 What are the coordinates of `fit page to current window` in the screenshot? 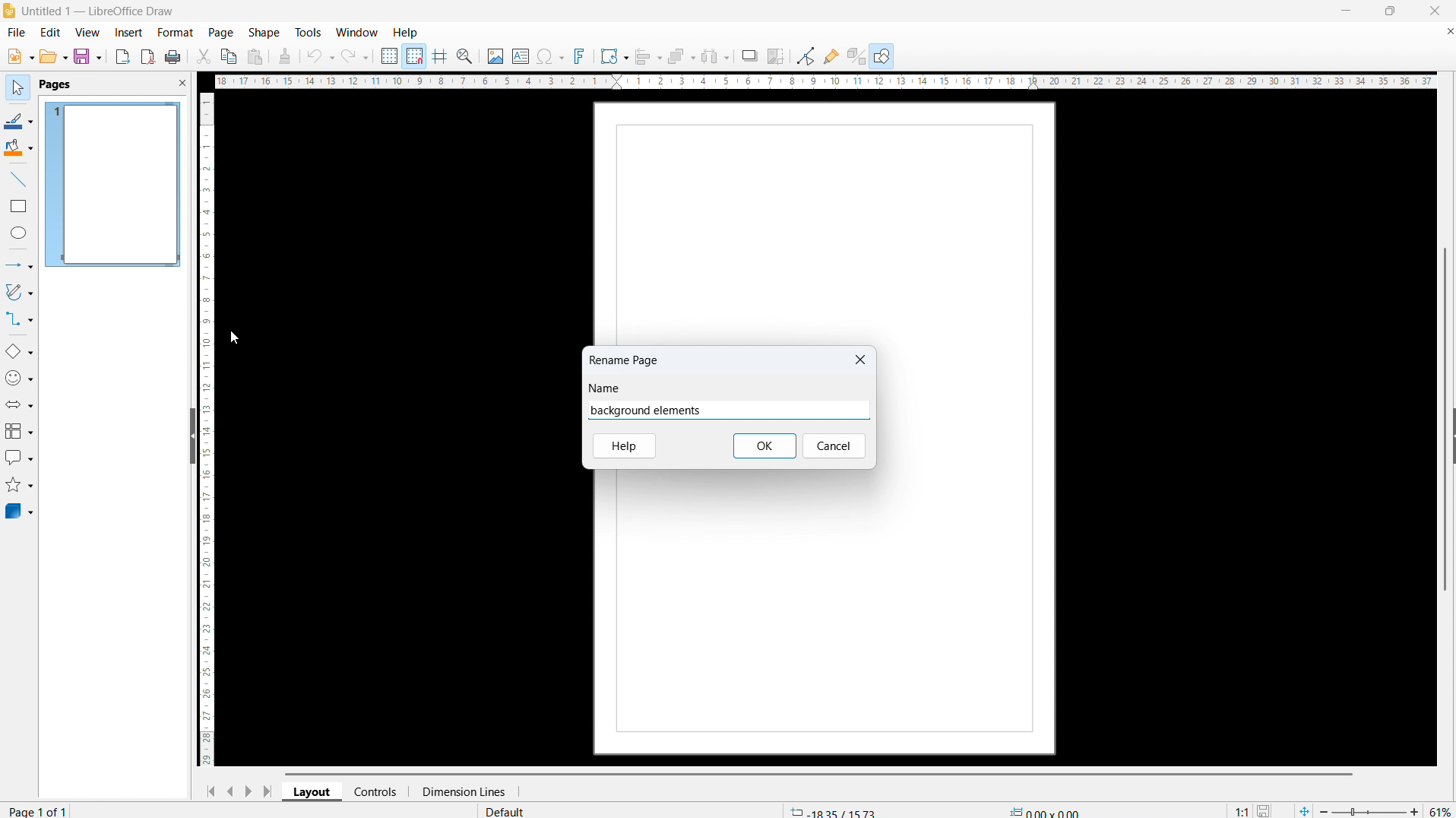 It's located at (1304, 810).